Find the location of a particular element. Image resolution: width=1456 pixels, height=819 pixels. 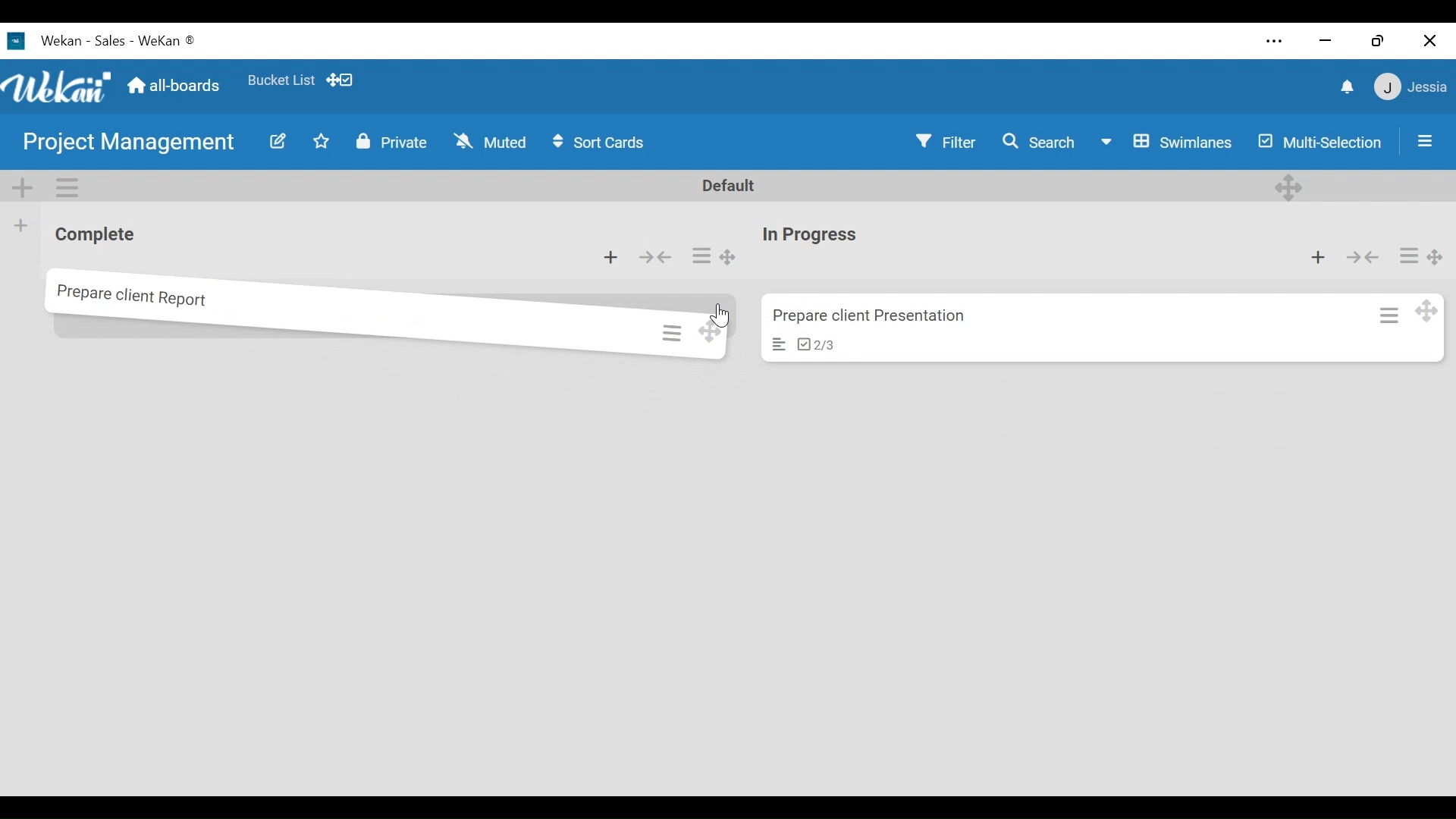

Restore is located at coordinates (1373, 37).